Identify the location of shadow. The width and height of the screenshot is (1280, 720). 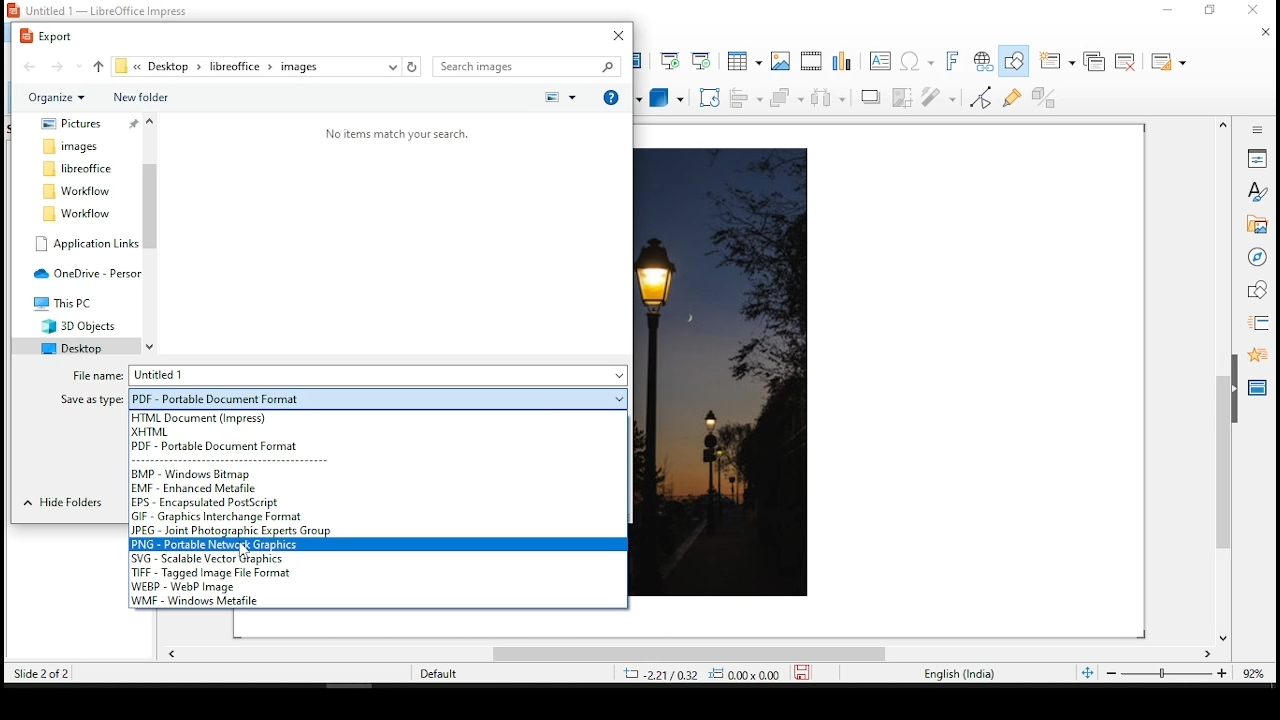
(871, 98).